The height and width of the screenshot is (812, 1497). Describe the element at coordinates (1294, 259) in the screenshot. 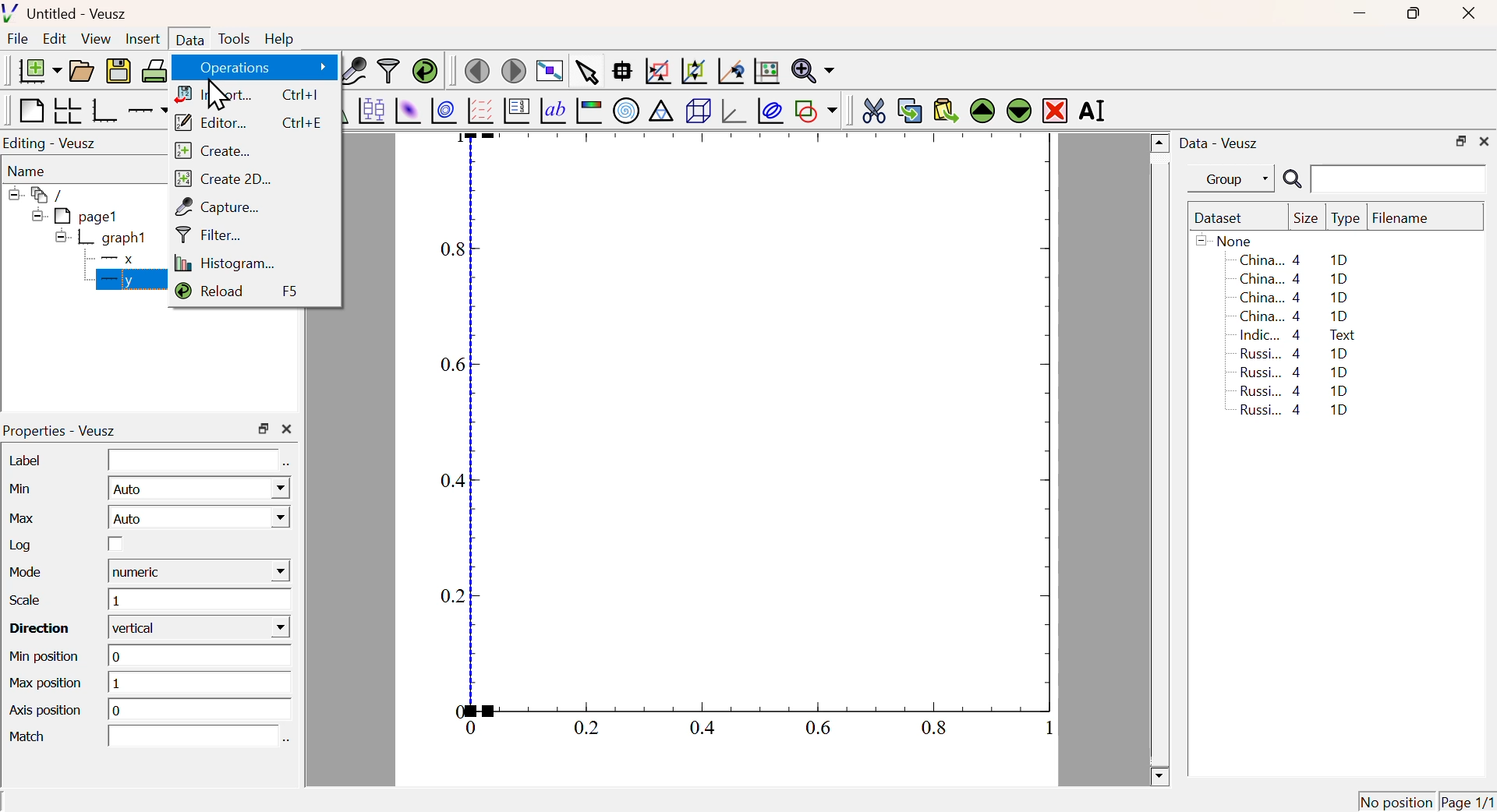

I see `China... 4 1D` at that location.